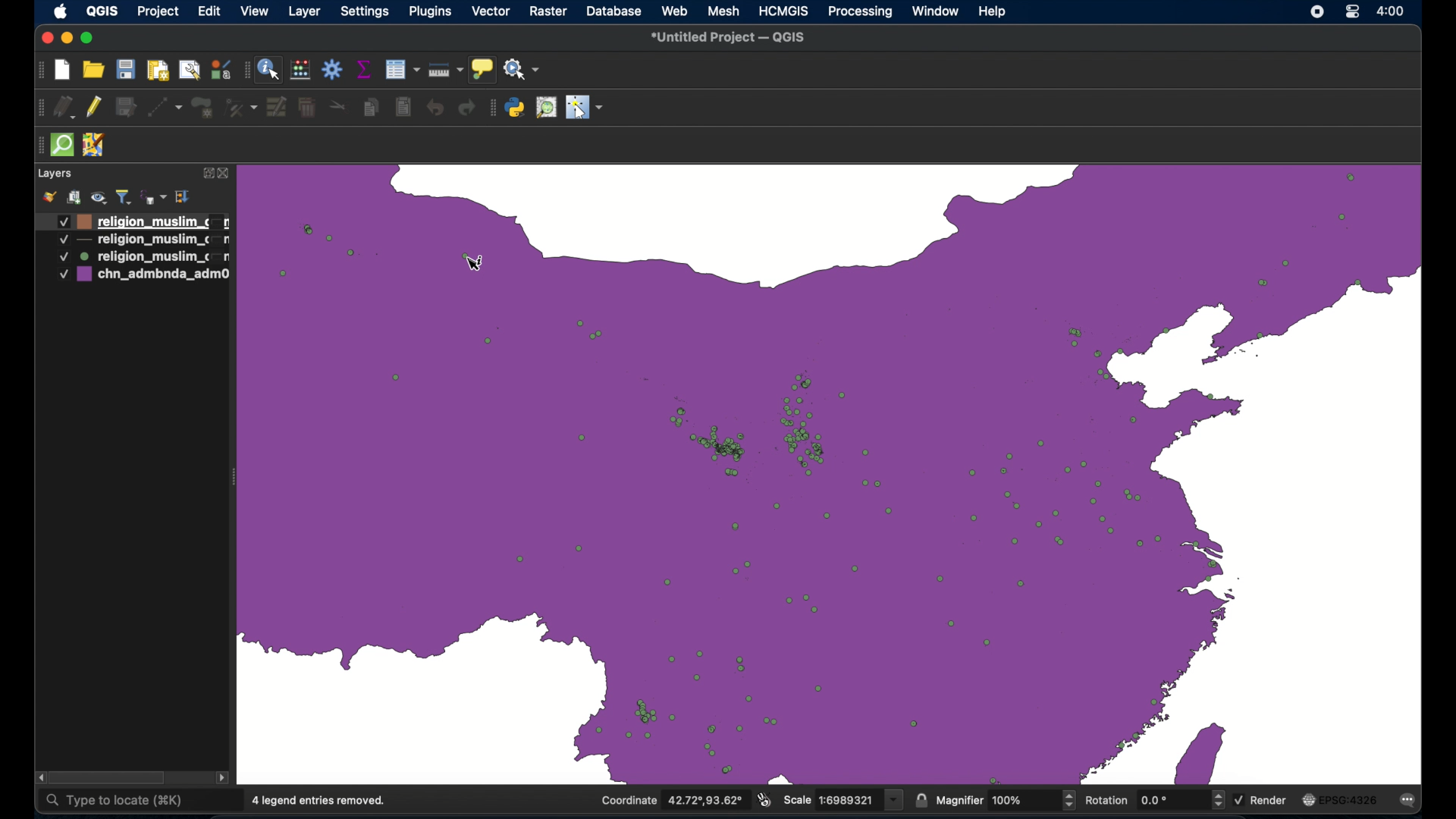  Describe the element at coordinates (141, 257) in the screenshot. I see `layer 2` at that location.